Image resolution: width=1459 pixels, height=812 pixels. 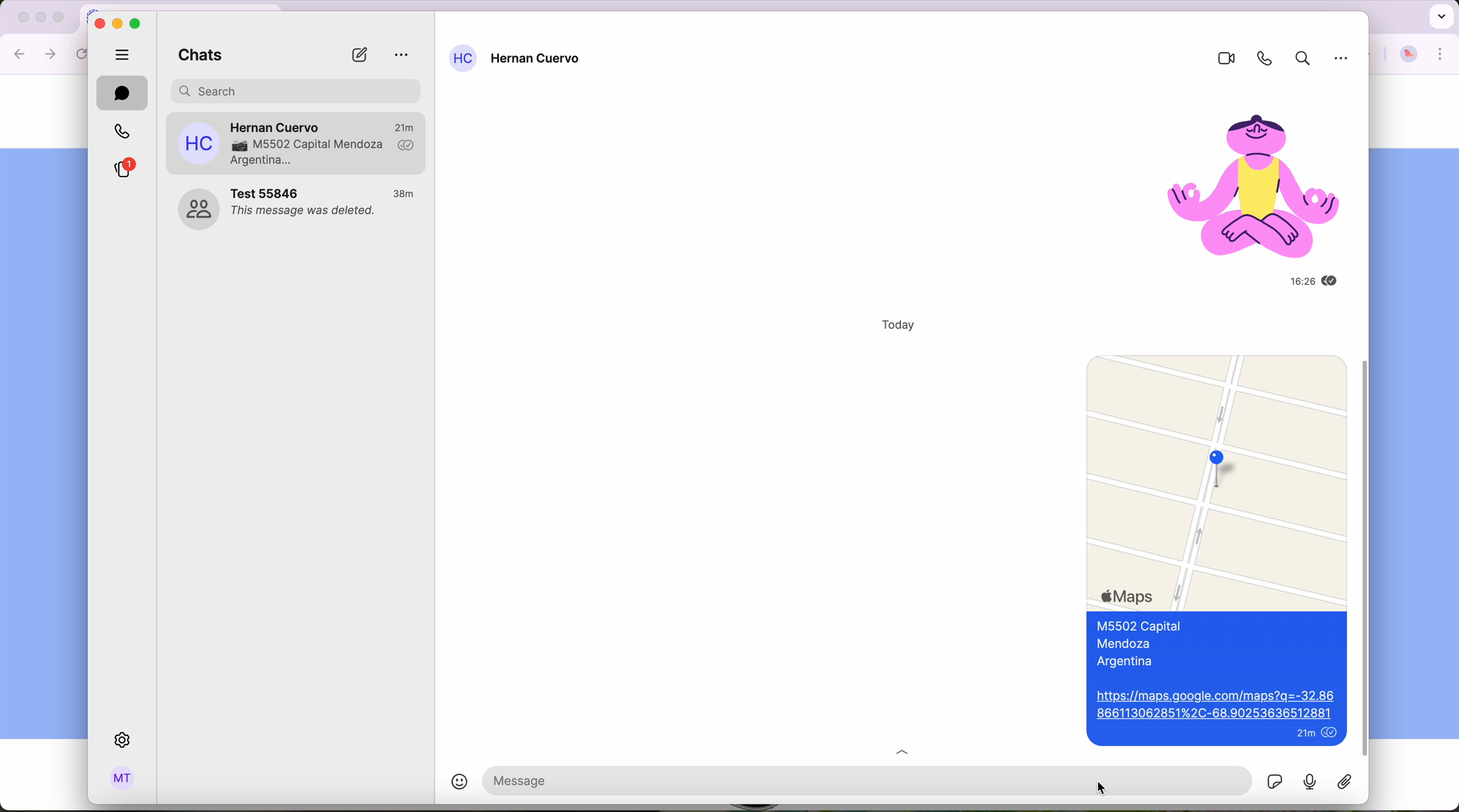 I want to click on message bar, so click(x=780, y=780).